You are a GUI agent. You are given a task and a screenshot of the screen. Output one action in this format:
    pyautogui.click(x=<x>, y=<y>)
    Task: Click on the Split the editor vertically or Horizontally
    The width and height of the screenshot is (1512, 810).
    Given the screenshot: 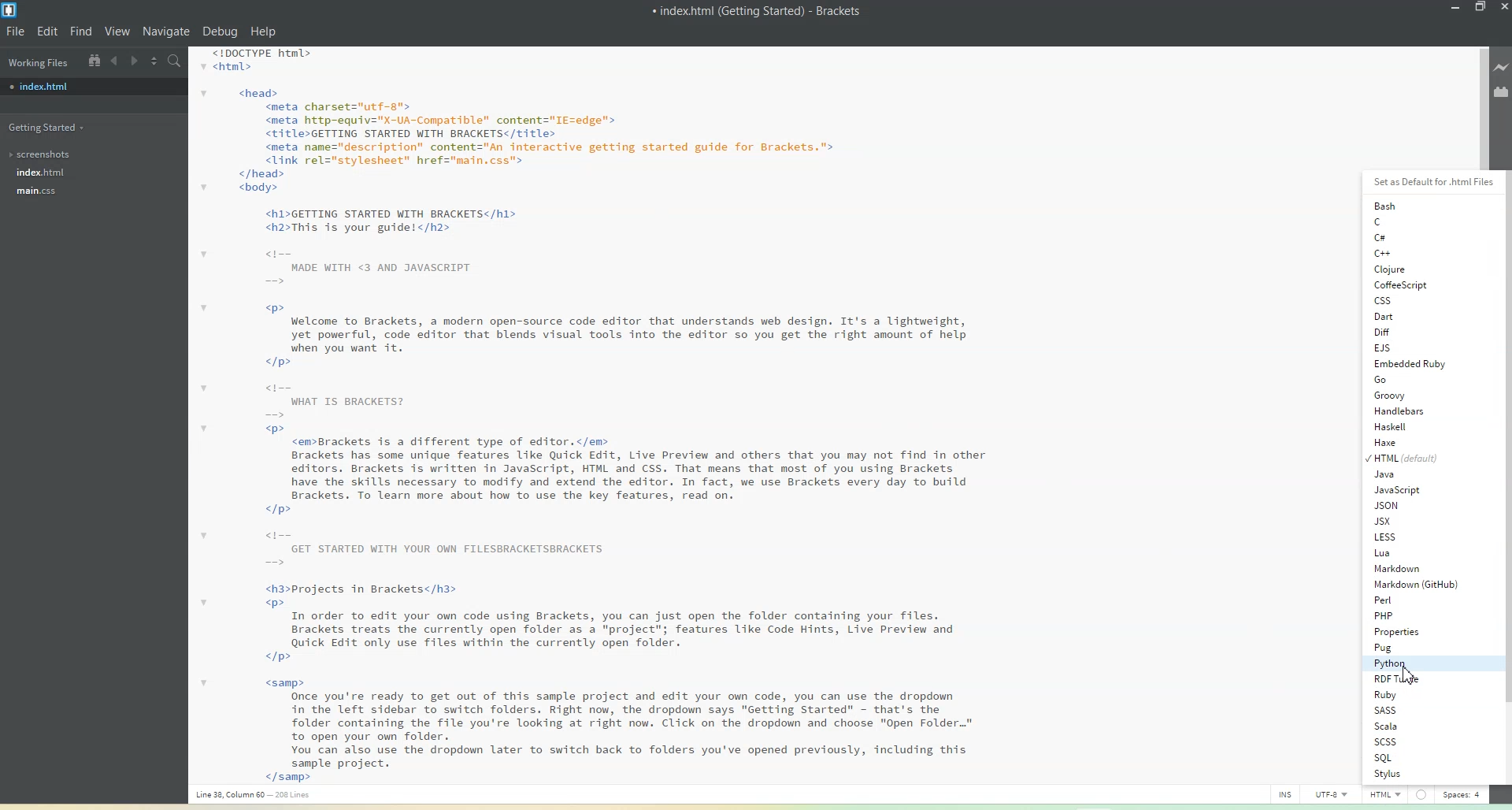 What is the action you would take?
    pyautogui.click(x=154, y=60)
    